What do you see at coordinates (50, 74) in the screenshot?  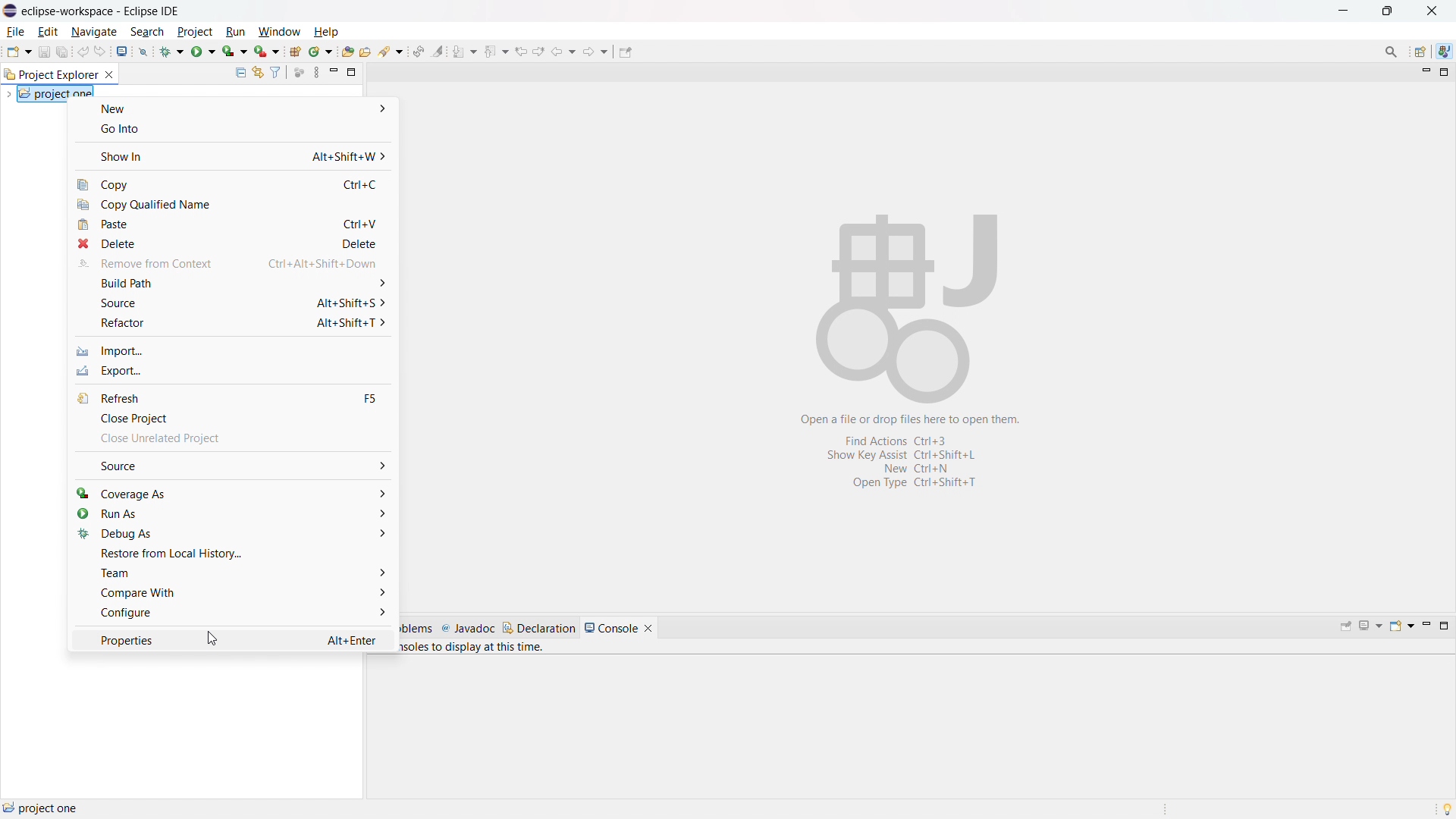 I see `project explorer` at bounding box center [50, 74].